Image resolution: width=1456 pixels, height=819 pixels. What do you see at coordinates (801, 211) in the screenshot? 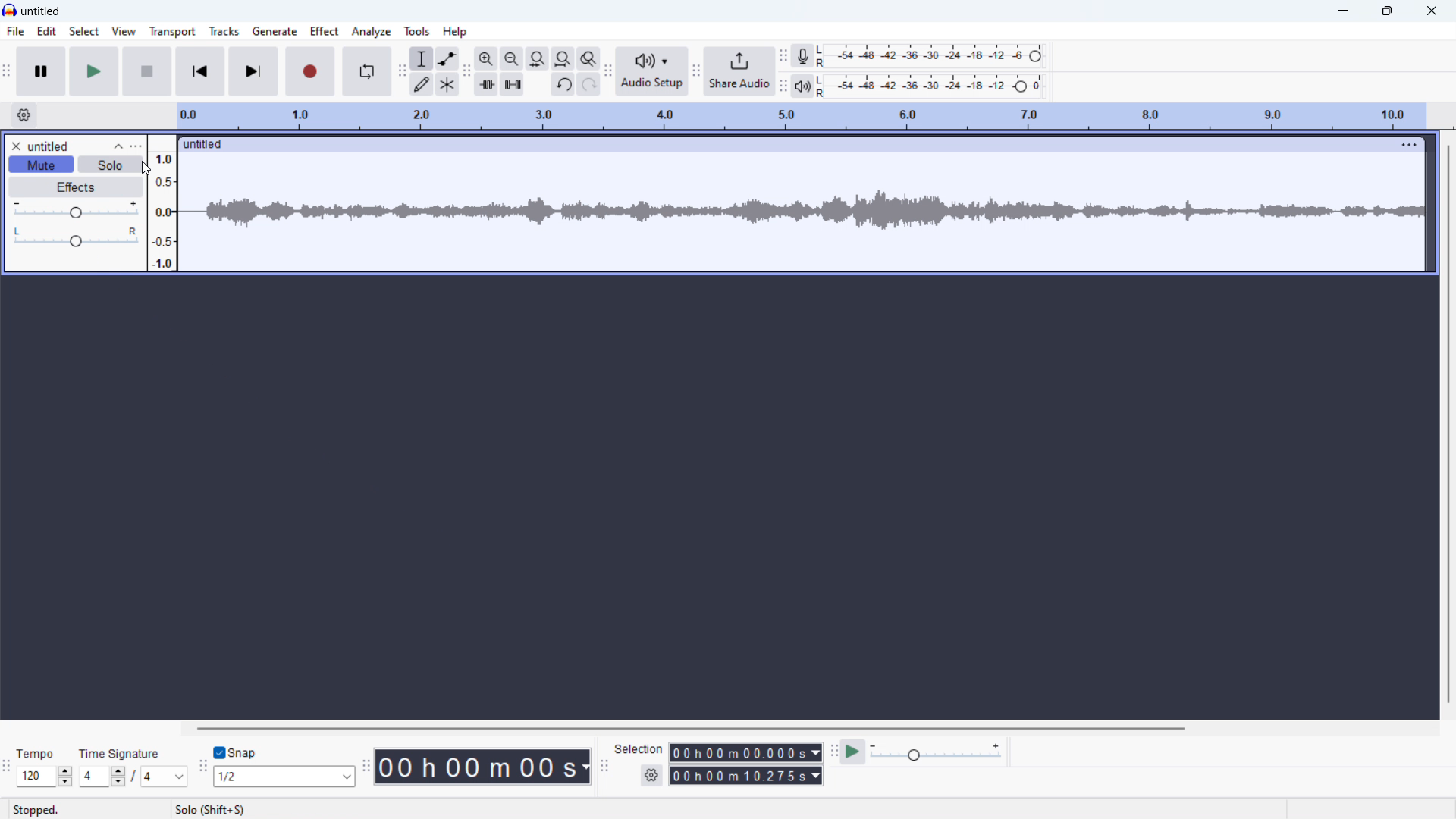
I see `wavefrom muted` at bounding box center [801, 211].